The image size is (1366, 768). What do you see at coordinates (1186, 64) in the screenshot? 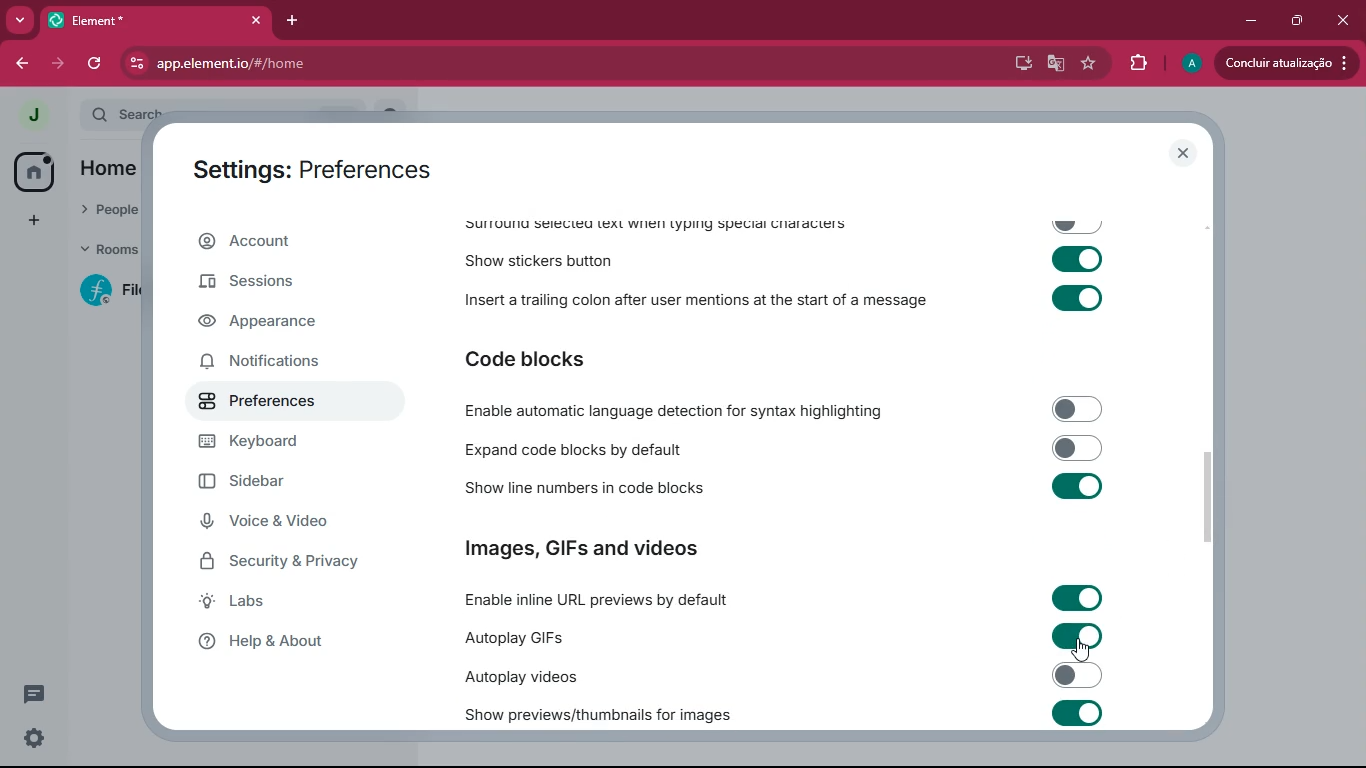
I see `profile ` at bounding box center [1186, 64].